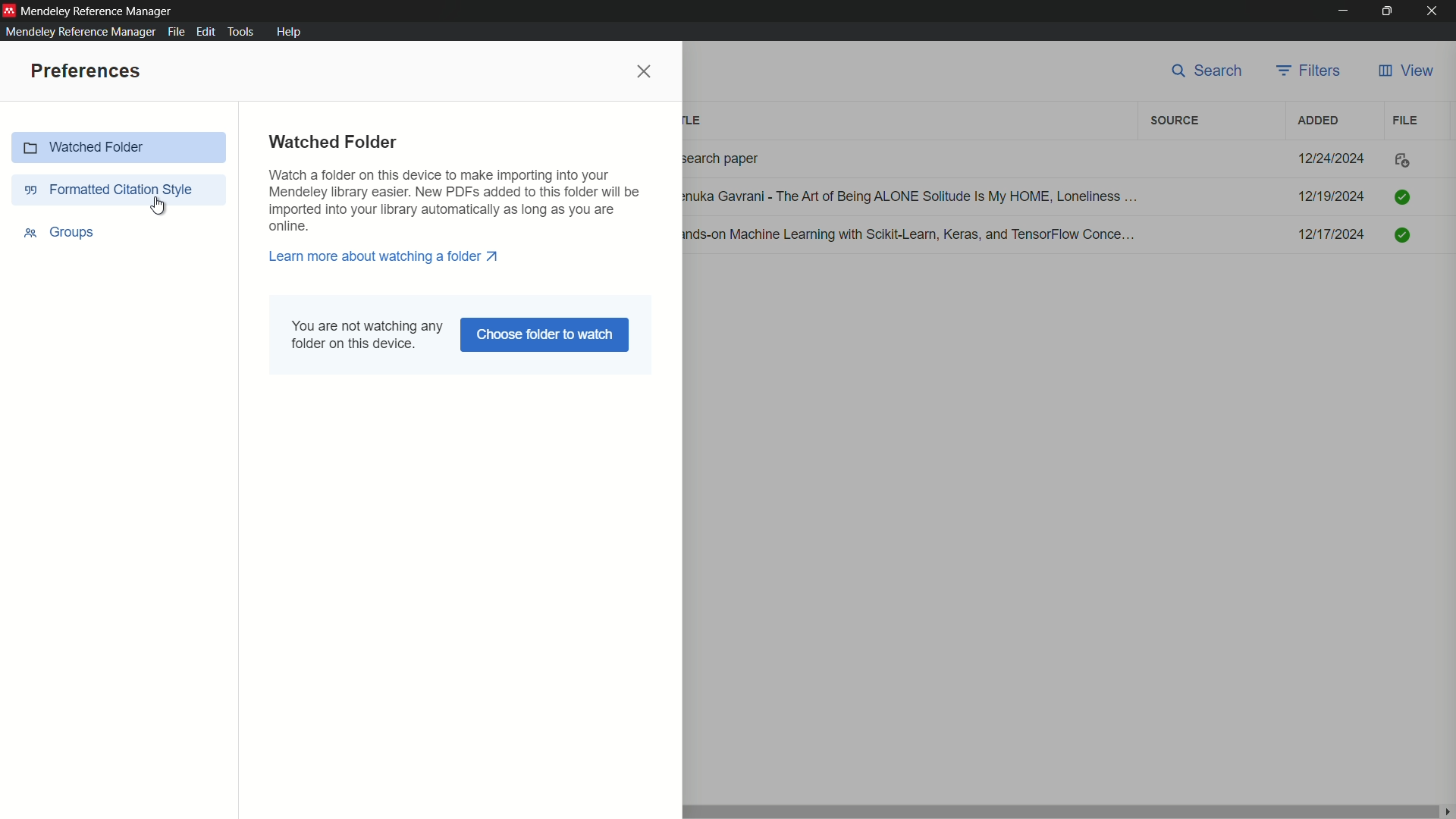  What do you see at coordinates (385, 256) in the screenshot?
I see `link` at bounding box center [385, 256].